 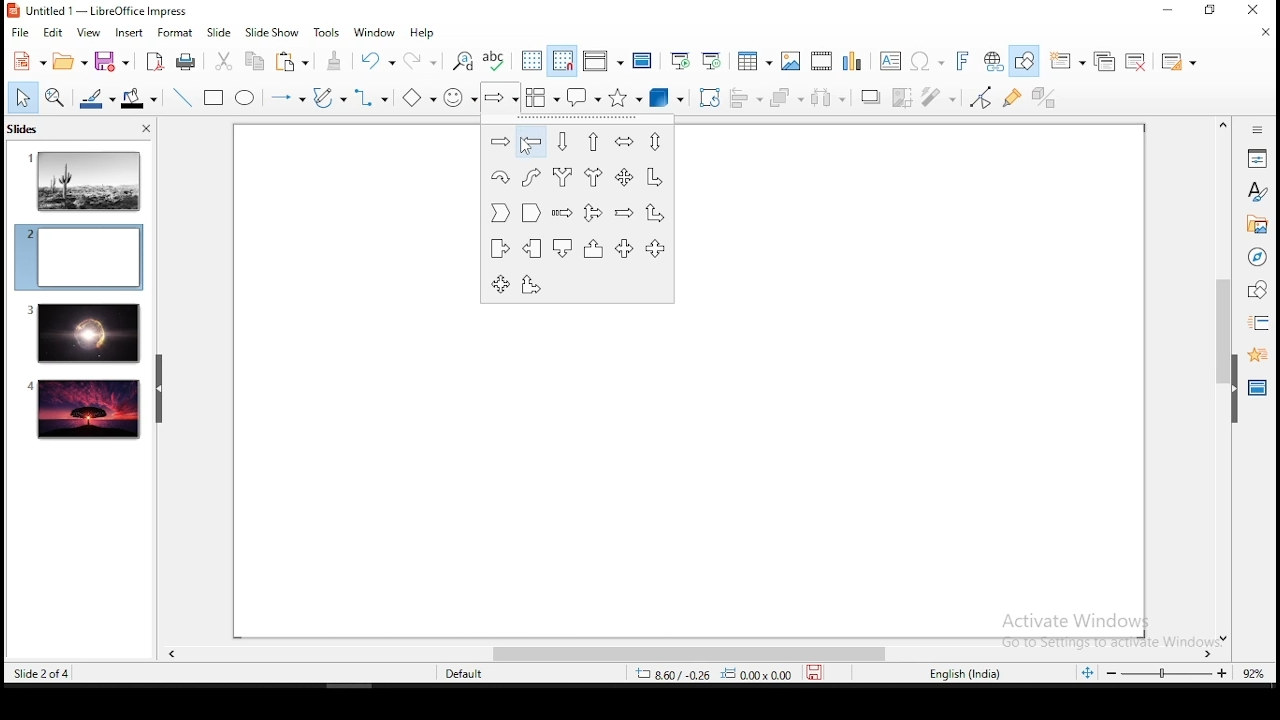 I want to click on view, so click(x=90, y=32).